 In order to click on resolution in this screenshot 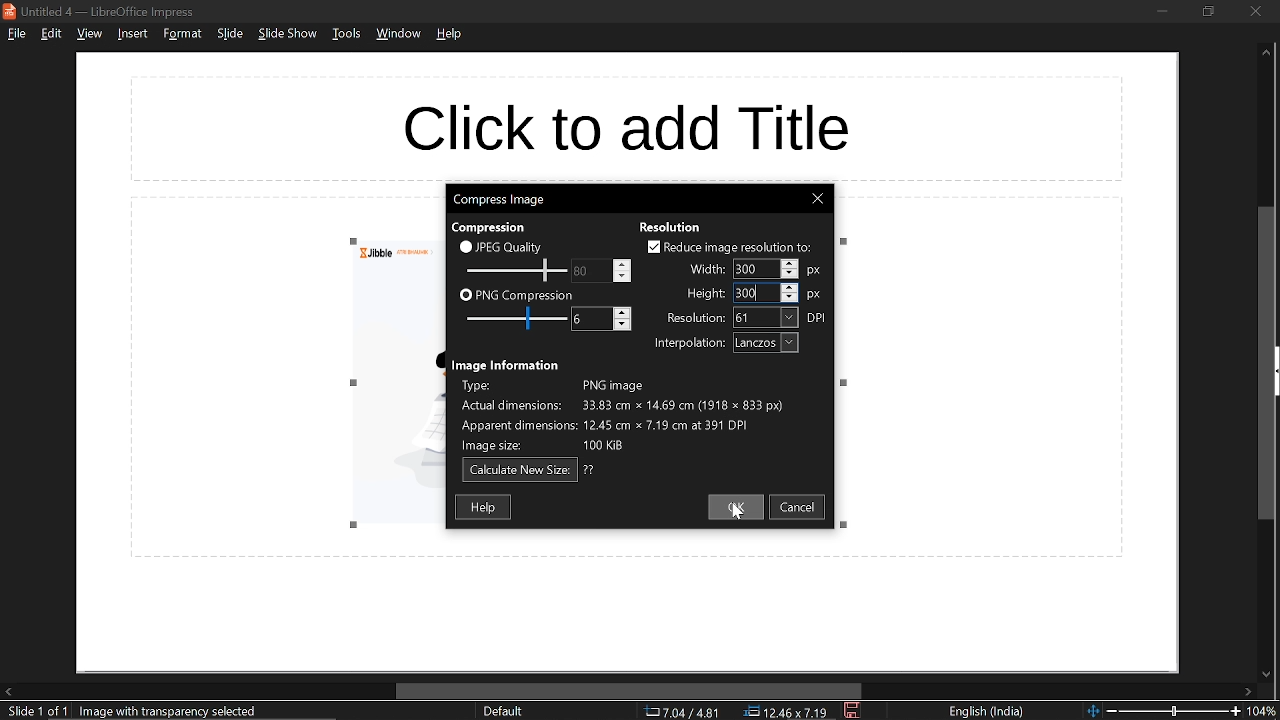, I will do `click(766, 318)`.